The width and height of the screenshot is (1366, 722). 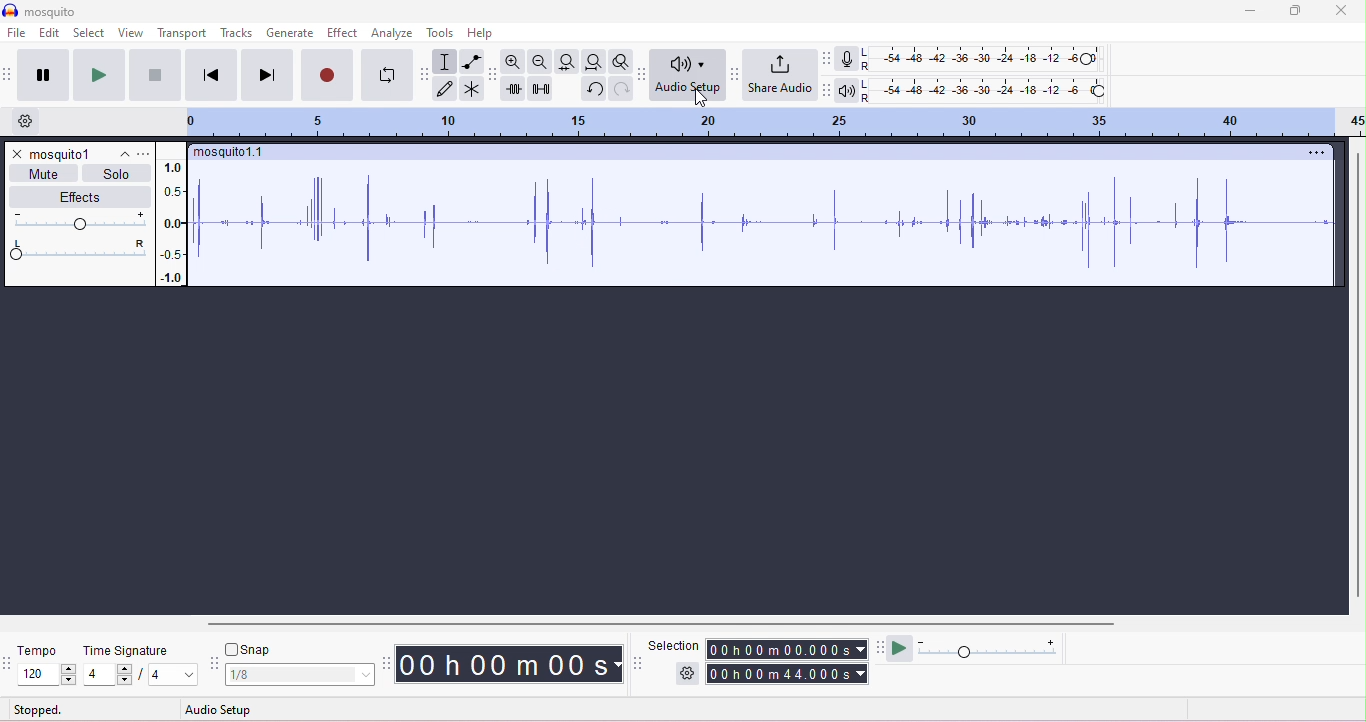 What do you see at coordinates (90, 34) in the screenshot?
I see `select` at bounding box center [90, 34].